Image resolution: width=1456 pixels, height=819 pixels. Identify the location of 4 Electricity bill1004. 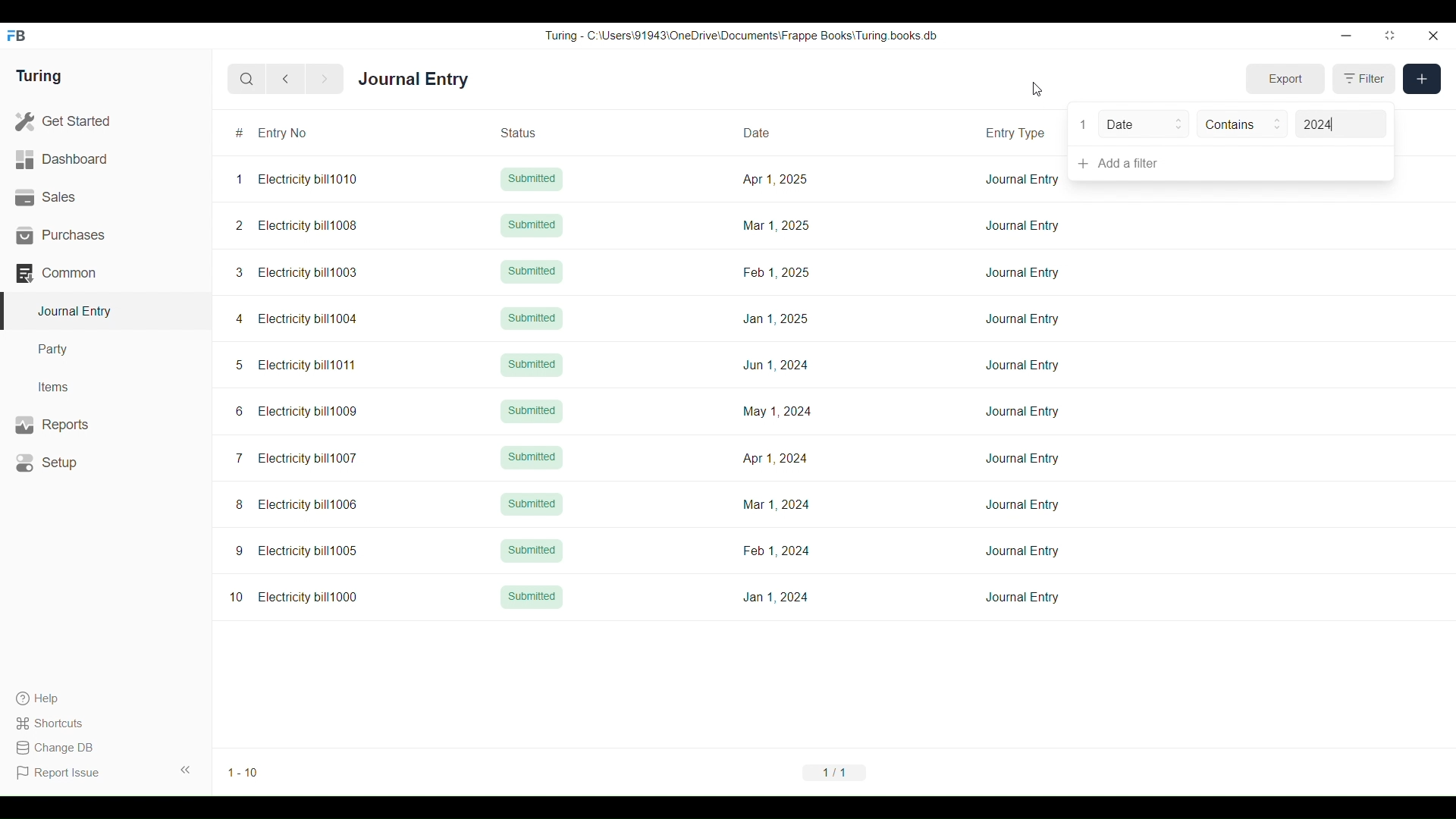
(297, 318).